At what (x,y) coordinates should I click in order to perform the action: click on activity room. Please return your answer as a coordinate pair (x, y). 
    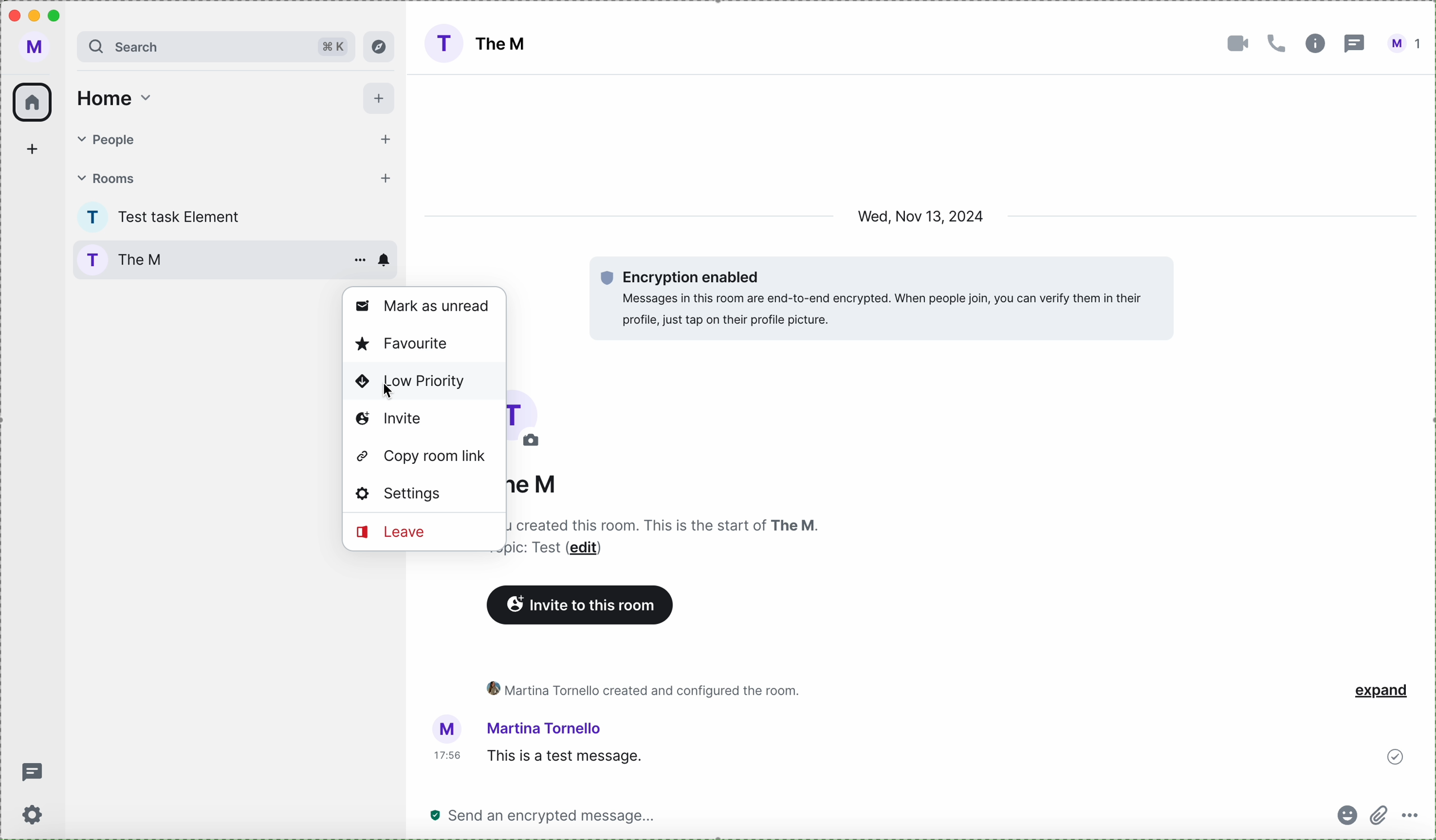
    Looking at the image, I should click on (643, 687).